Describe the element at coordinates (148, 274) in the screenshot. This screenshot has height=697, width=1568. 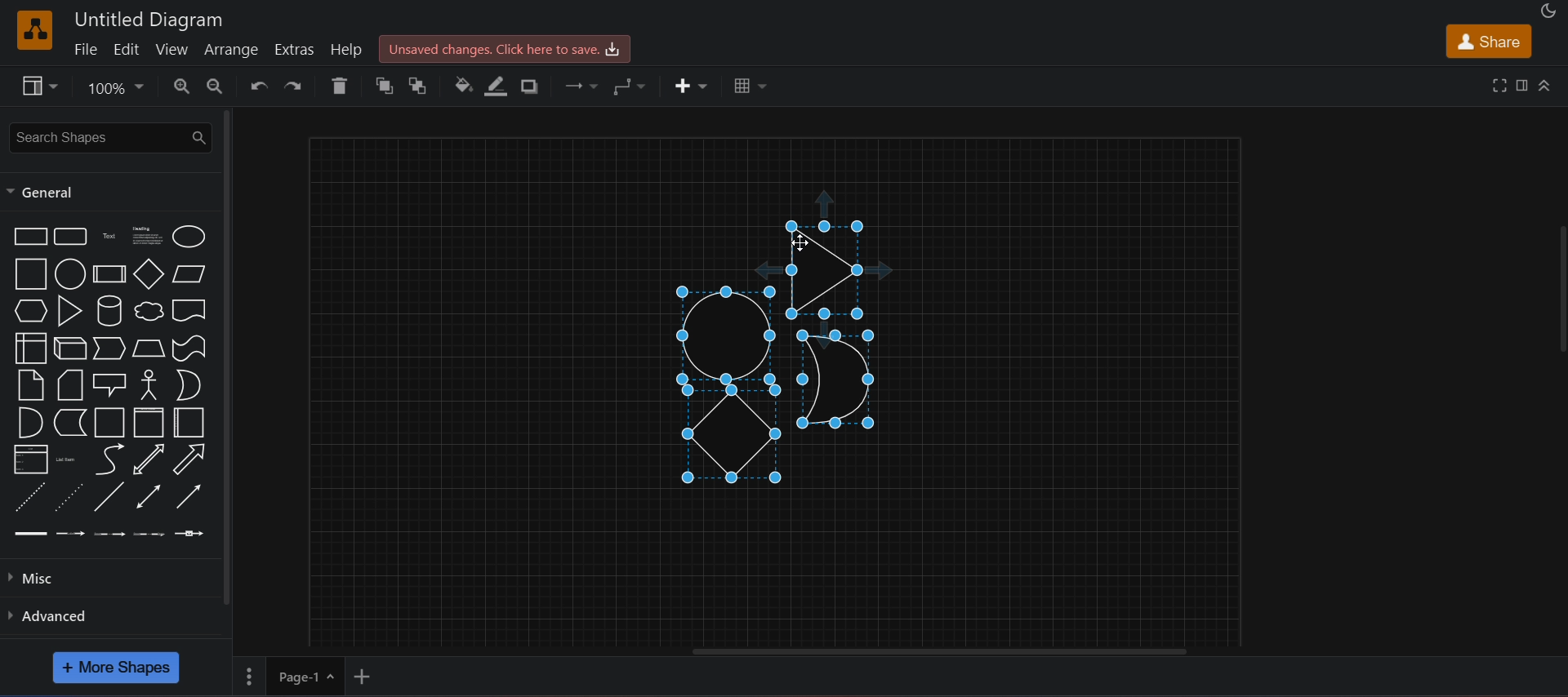
I see `diamond` at that location.